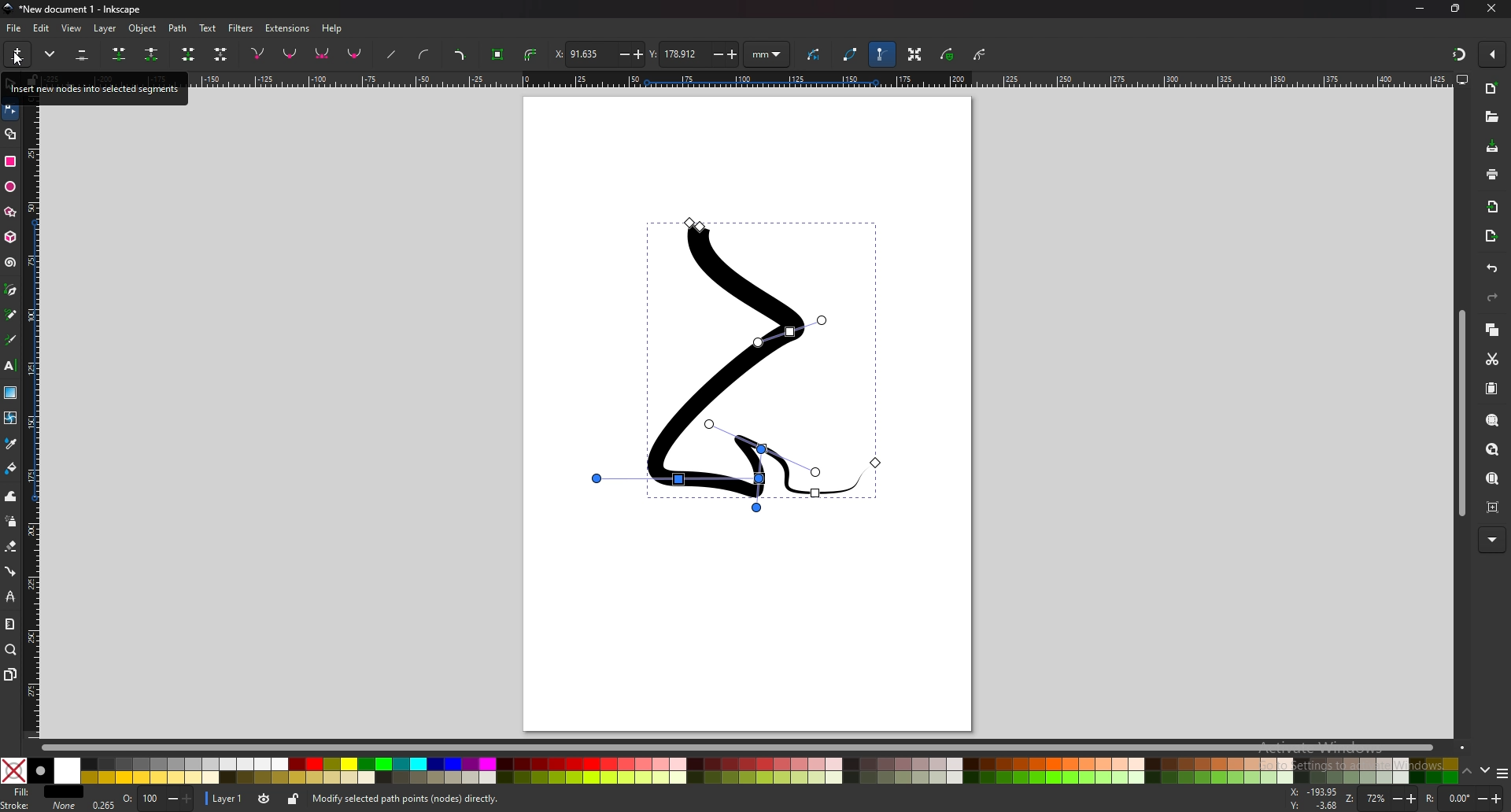 This screenshot has width=1511, height=812. I want to click on x coordinates, so click(599, 54).